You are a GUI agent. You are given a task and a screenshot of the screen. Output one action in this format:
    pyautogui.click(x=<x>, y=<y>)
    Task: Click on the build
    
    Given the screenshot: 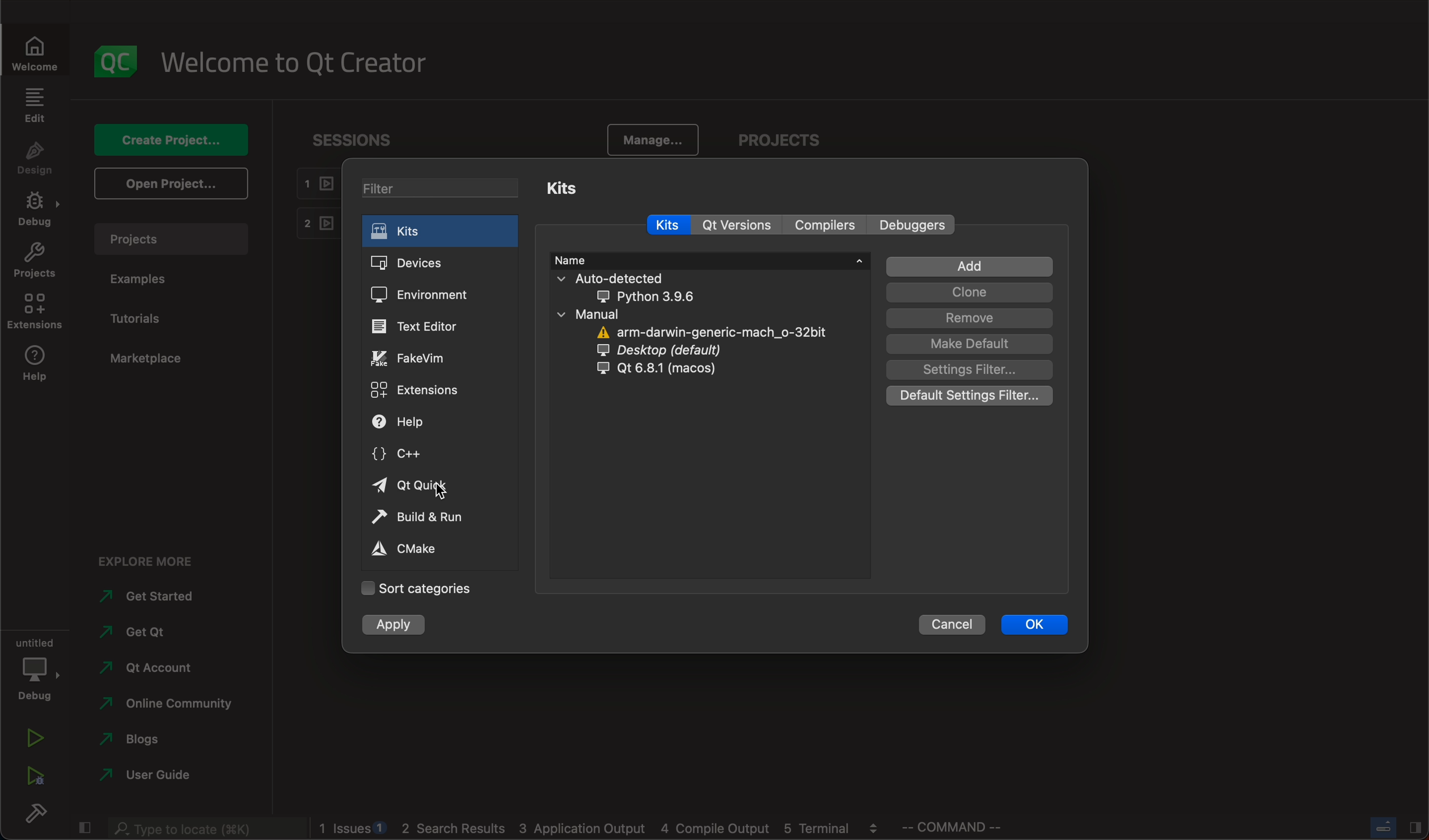 What is the action you would take?
    pyautogui.click(x=36, y=810)
    